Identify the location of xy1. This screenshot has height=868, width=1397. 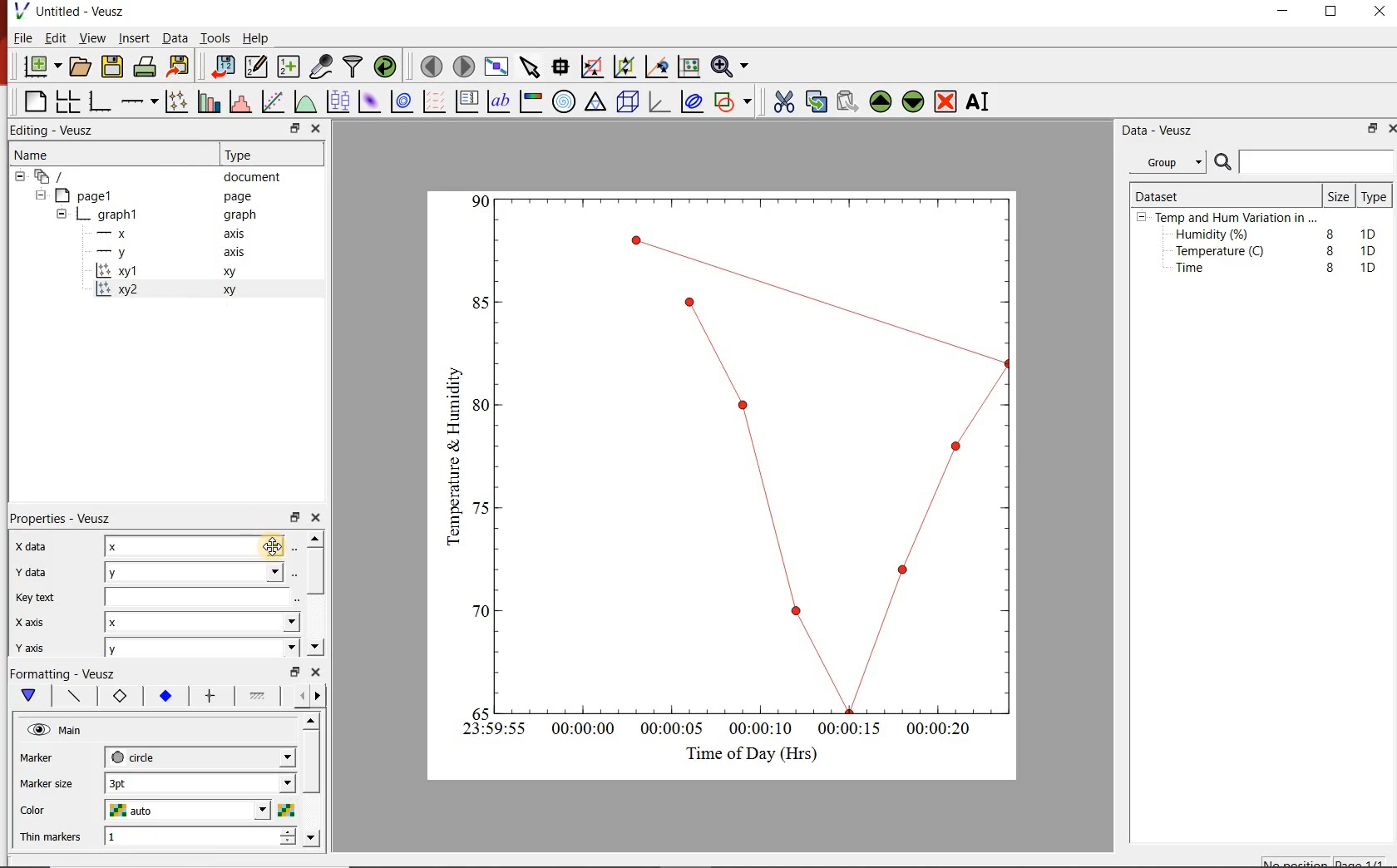
(126, 271).